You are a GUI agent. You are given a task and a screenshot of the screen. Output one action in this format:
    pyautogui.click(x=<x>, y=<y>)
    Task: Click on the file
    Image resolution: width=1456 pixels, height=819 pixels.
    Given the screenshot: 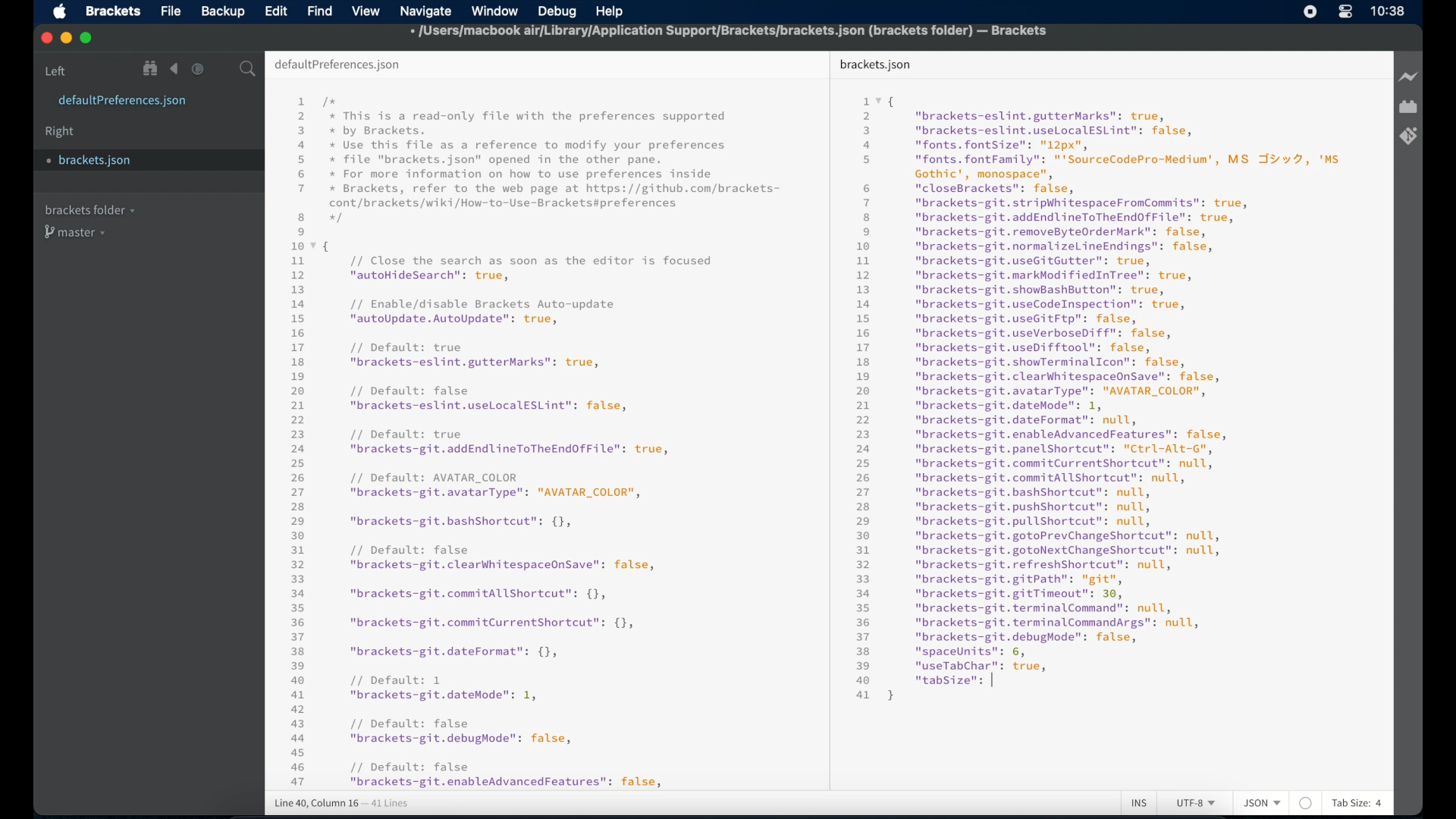 What is the action you would take?
    pyautogui.click(x=172, y=12)
    